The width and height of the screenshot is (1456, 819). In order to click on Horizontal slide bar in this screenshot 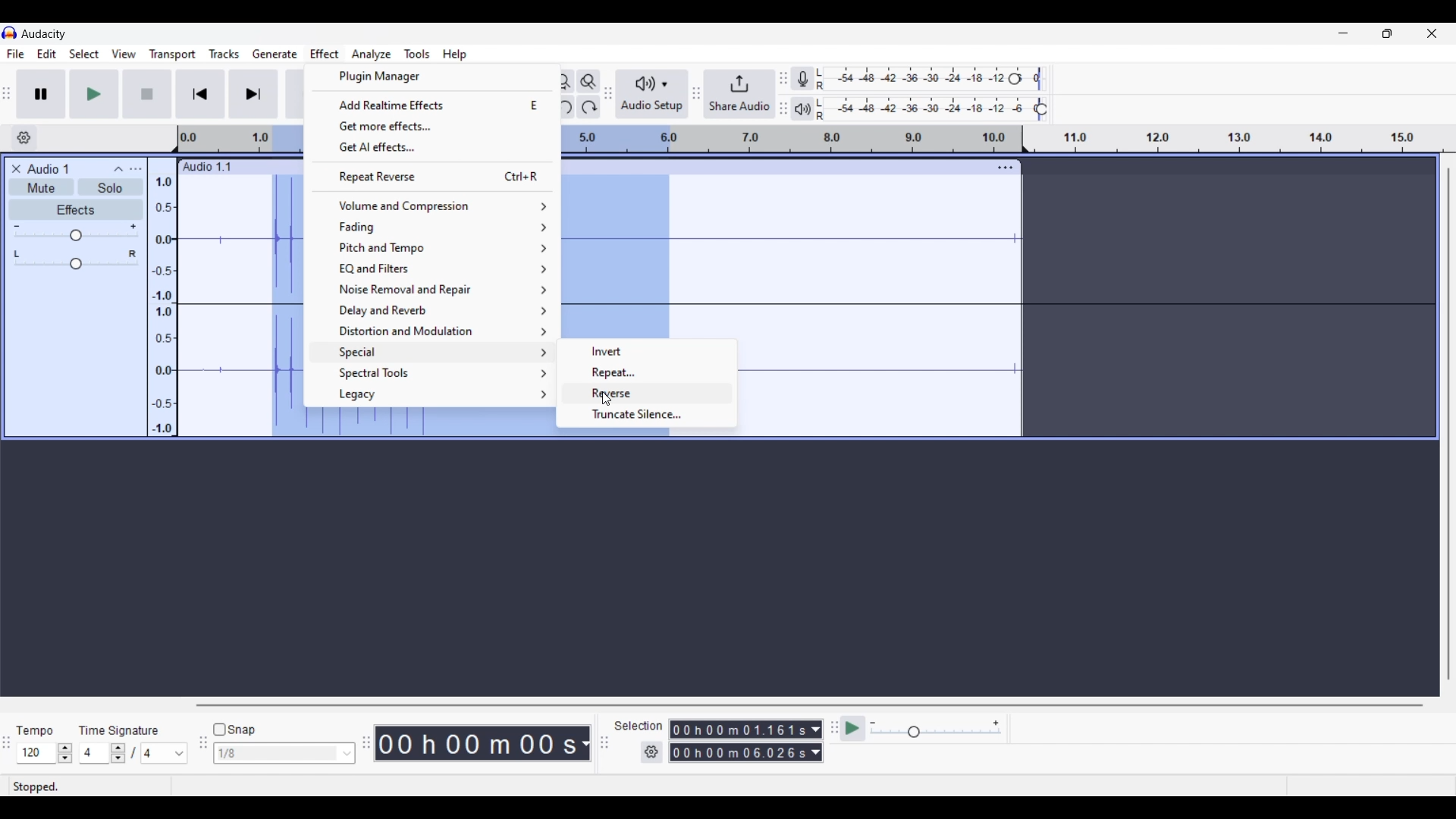, I will do `click(810, 705)`.